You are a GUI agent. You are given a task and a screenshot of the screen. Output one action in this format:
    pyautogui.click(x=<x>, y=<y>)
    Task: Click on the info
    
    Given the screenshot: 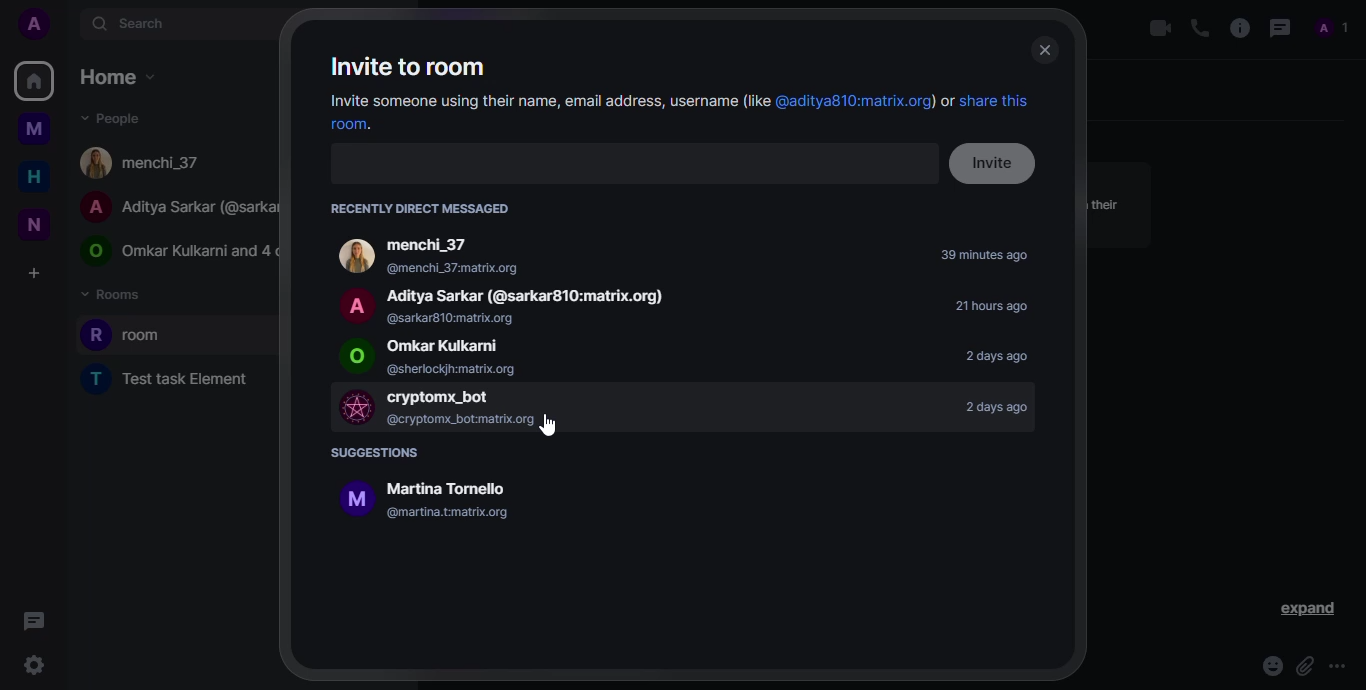 What is the action you would take?
    pyautogui.click(x=1240, y=28)
    